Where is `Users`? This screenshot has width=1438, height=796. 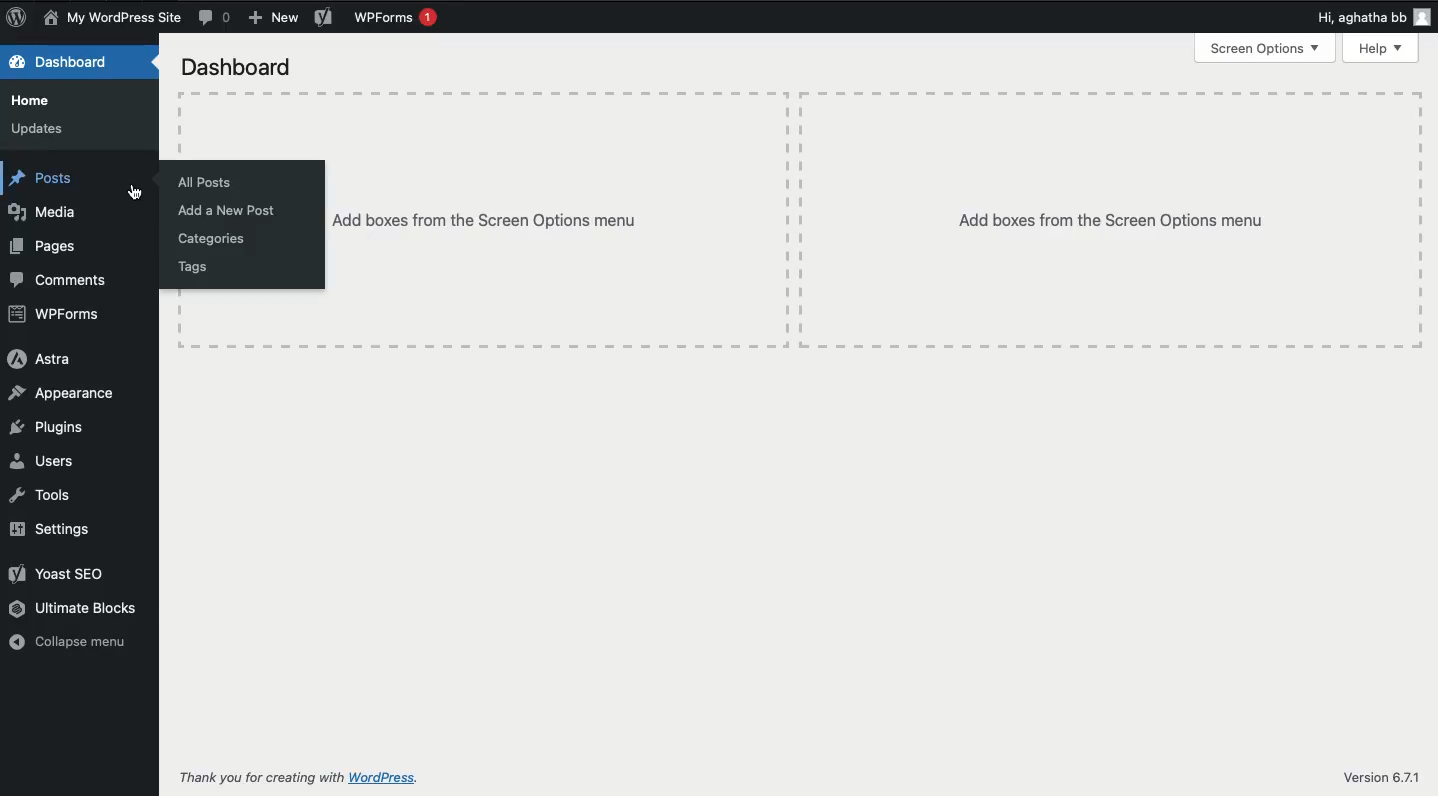
Users is located at coordinates (43, 461).